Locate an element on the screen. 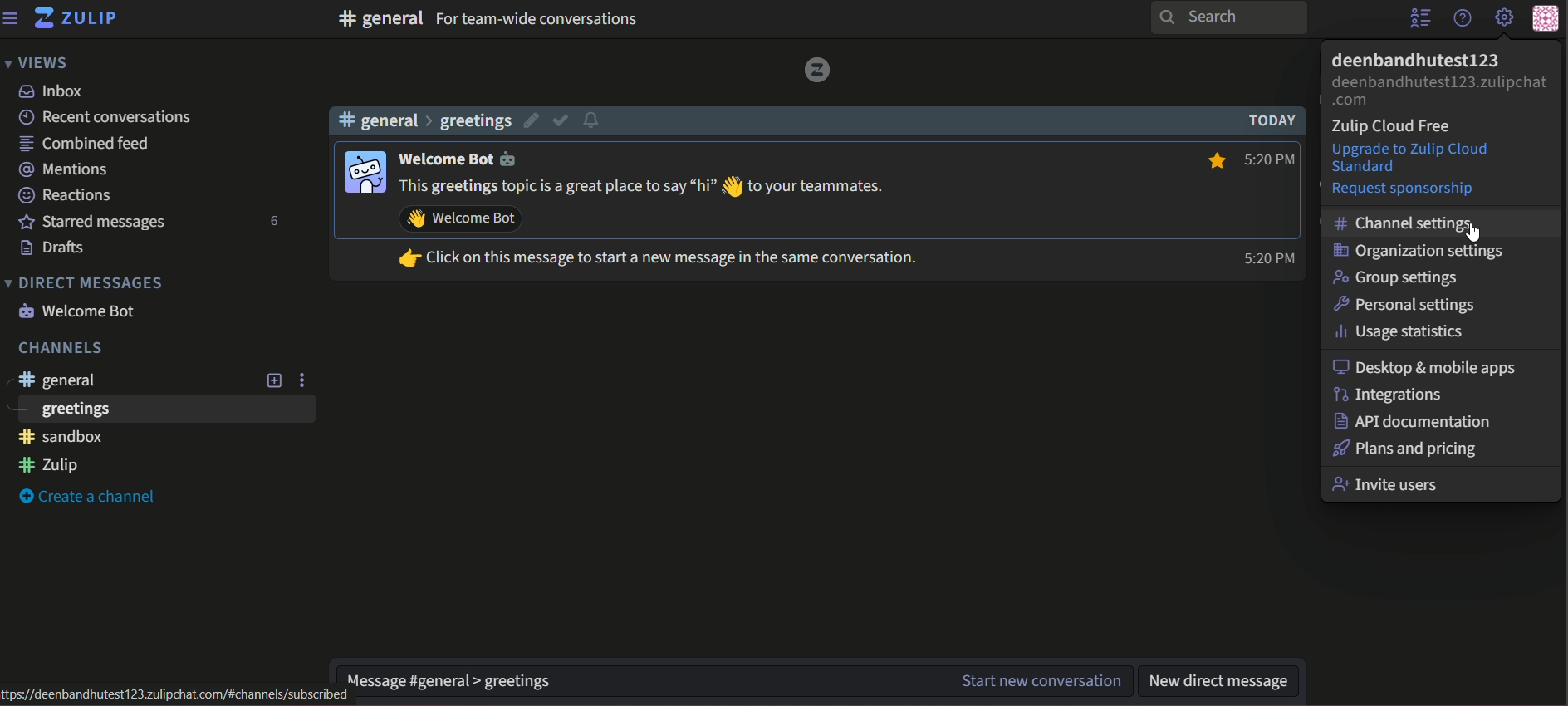 This screenshot has height=706, width=1568. API documentation is located at coordinates (1413, 421).